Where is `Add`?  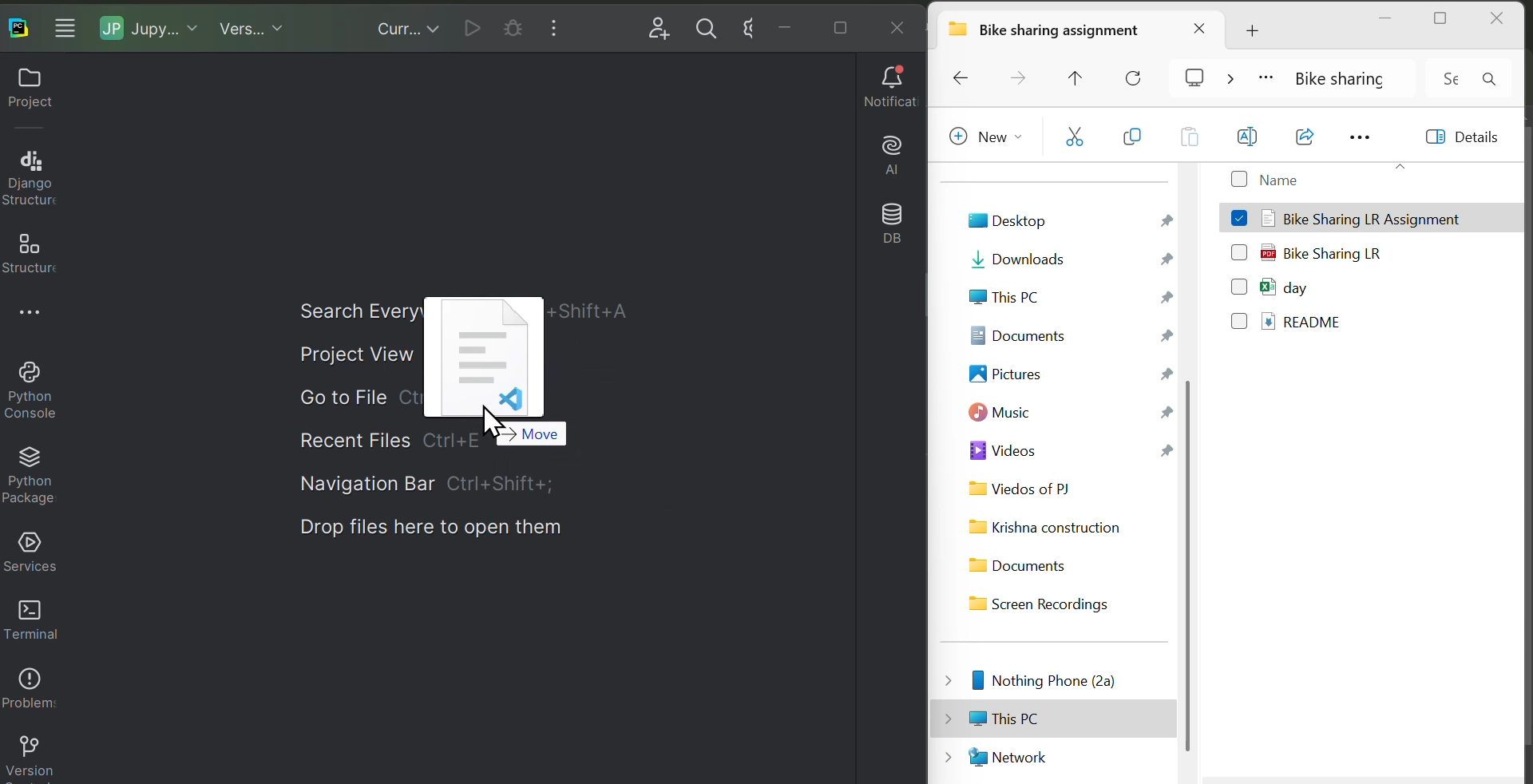 Add is located at coordinates (1269, 26).